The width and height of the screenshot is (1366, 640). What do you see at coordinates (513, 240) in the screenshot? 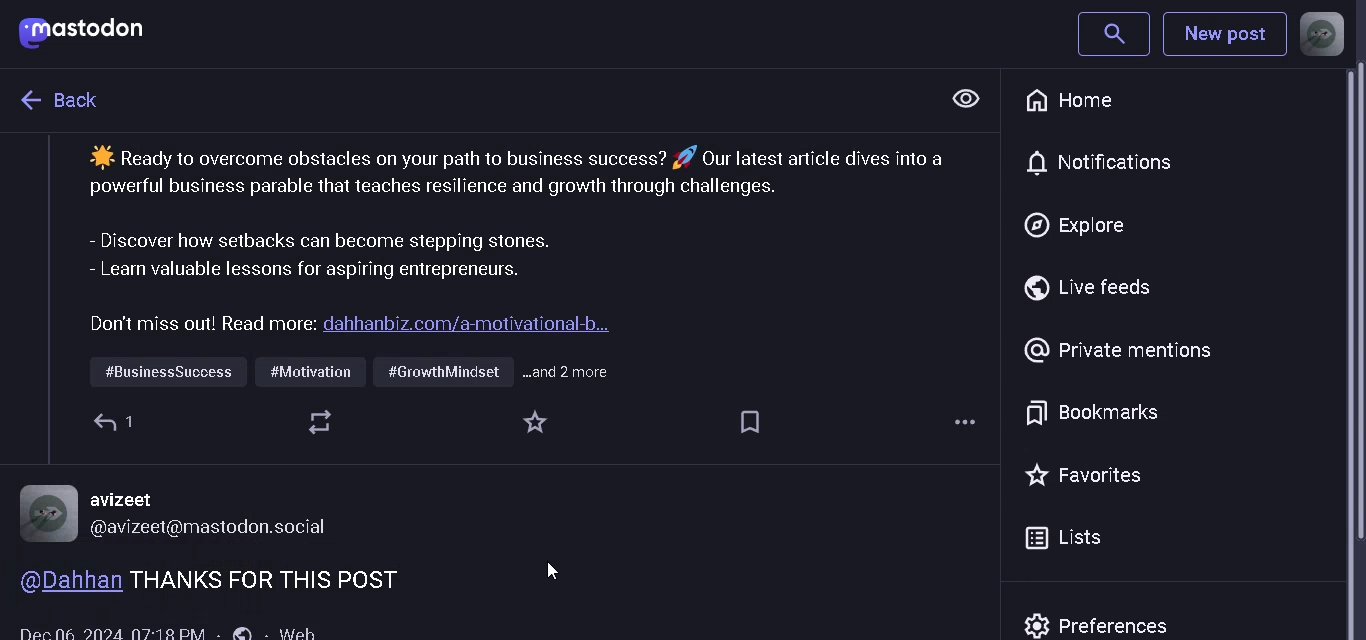
I see `post` at bounding box center [513, 240].